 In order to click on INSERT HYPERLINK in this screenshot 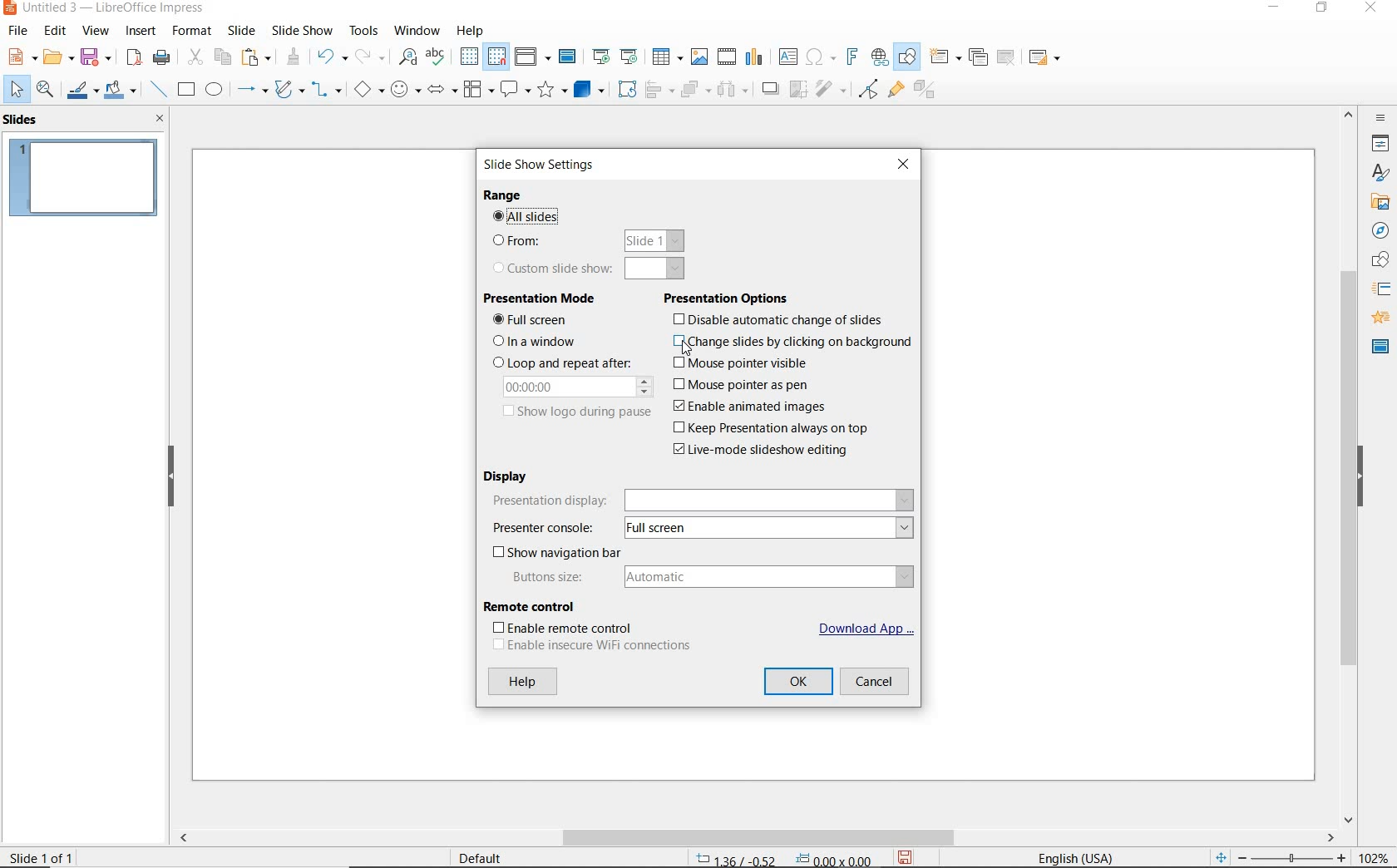, I will do `click(878, 56)`.